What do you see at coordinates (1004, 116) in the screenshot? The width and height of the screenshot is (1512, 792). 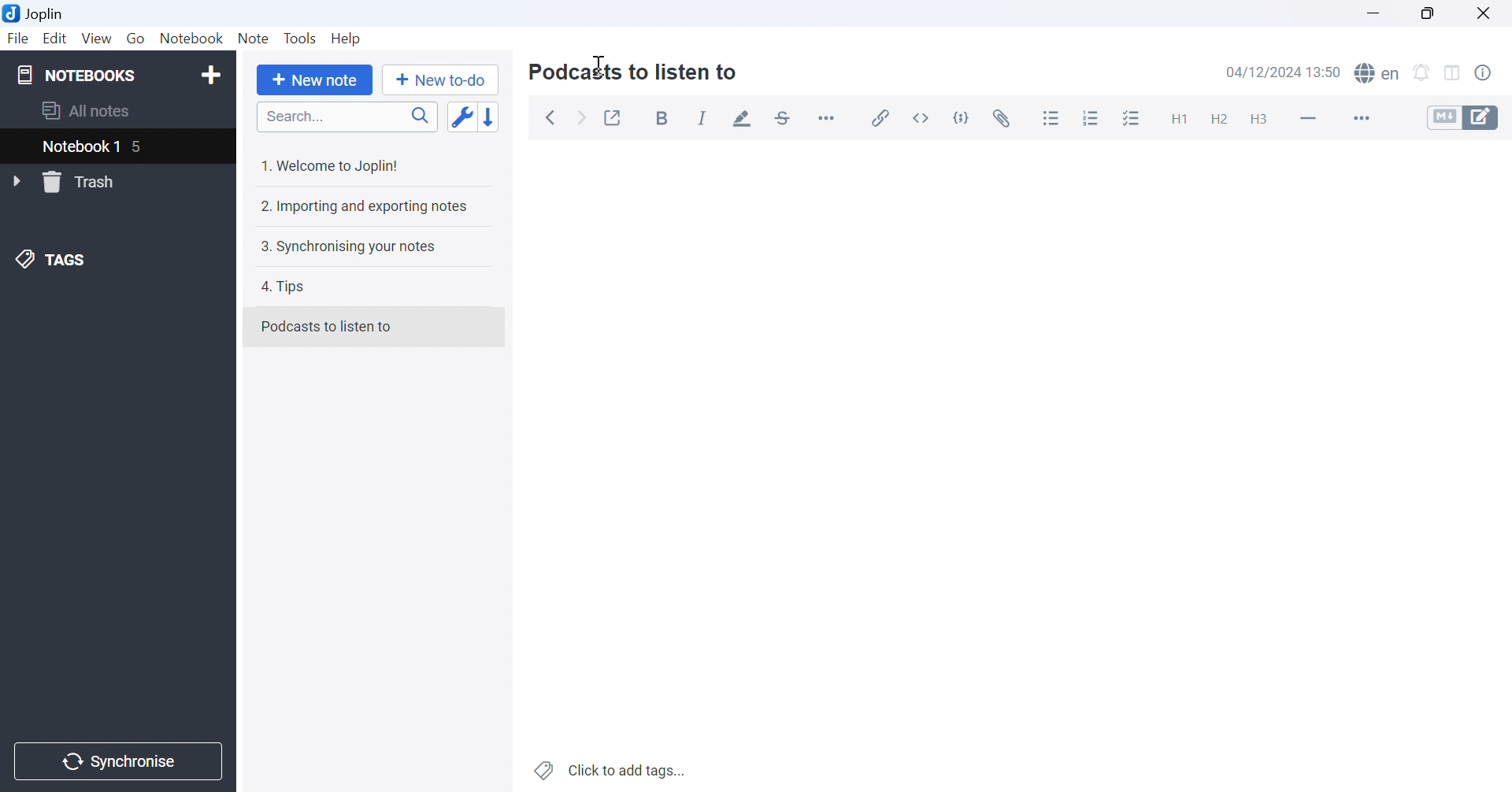 I see `Attach file` at bounding box center [1004, 116].